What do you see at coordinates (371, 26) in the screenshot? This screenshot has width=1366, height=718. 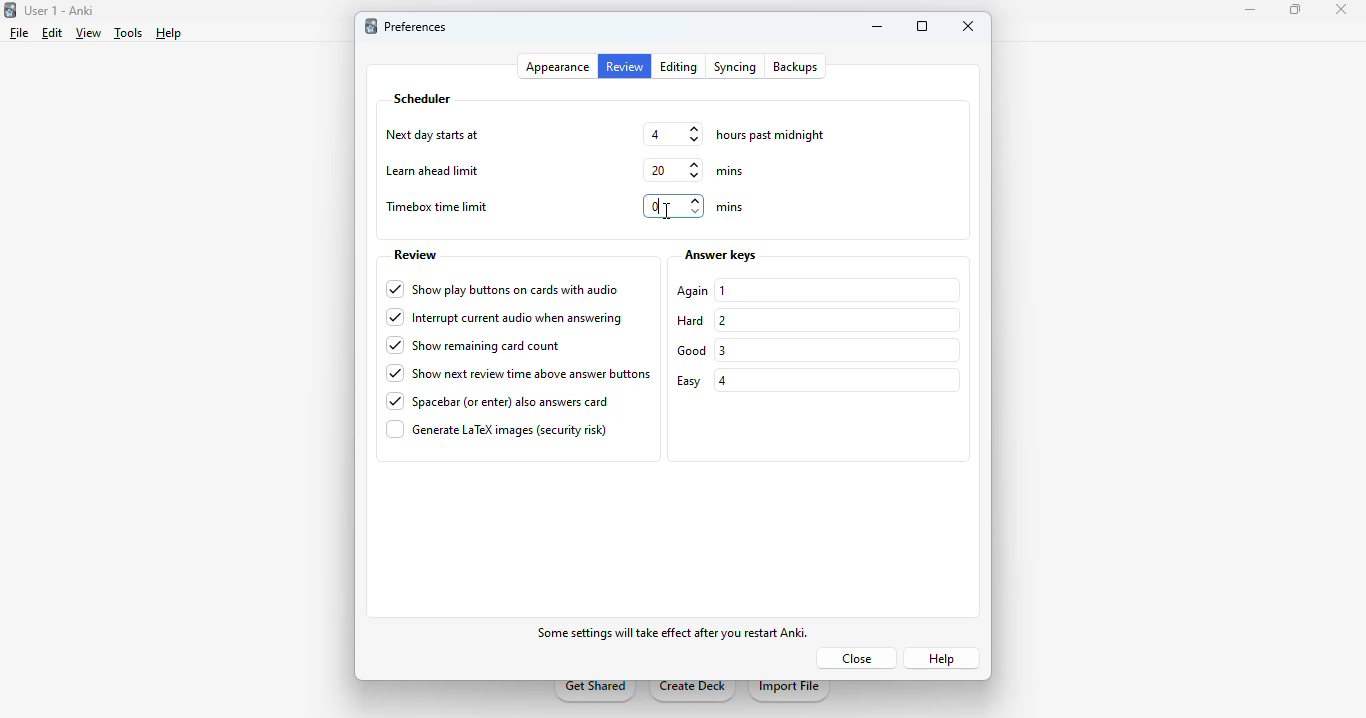 I see `logo` at bounding box center [371, 26].